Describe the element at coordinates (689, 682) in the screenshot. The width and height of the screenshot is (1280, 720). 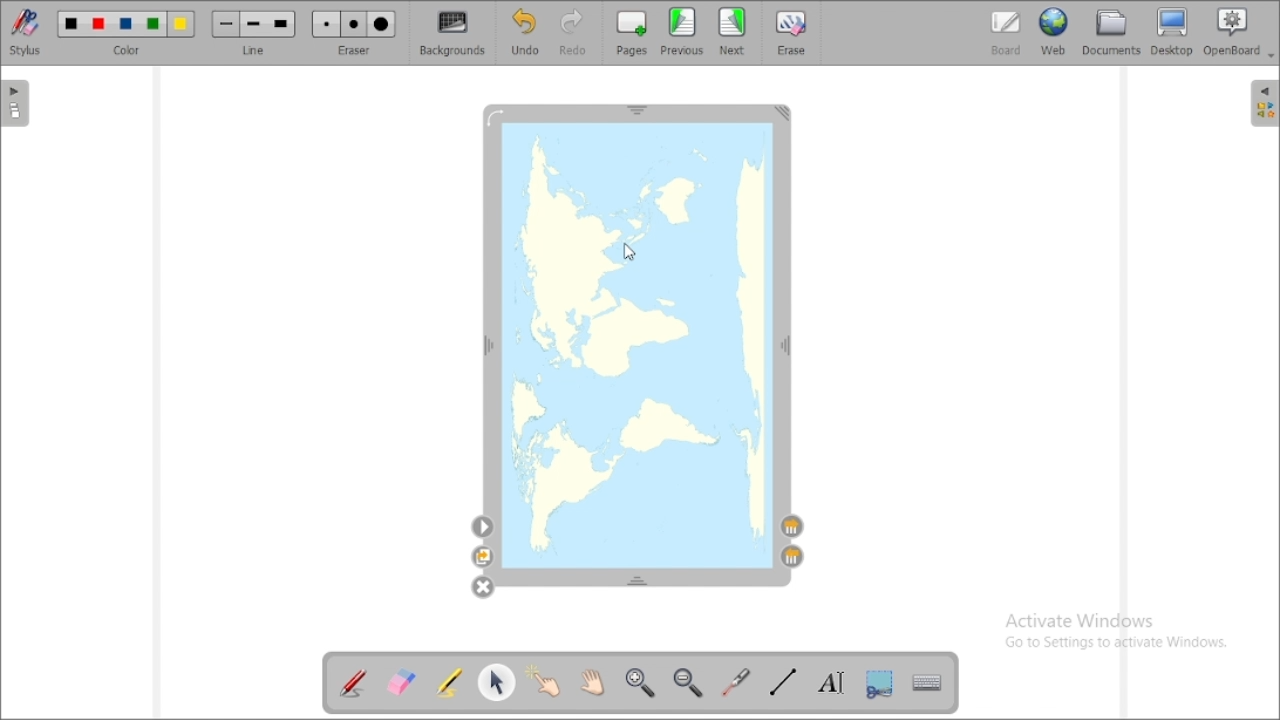
I see `zoom out` at that location.